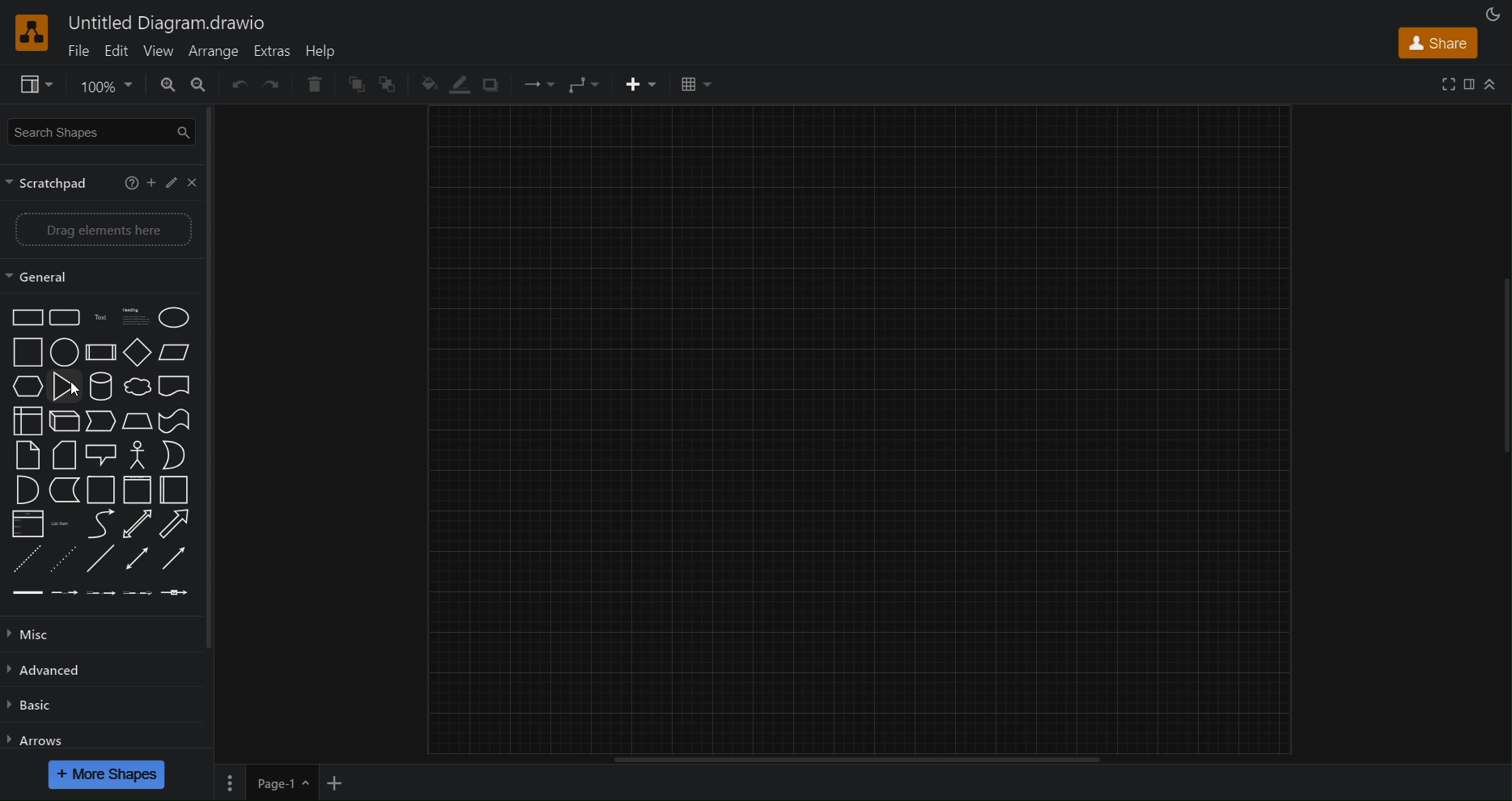 This screenshot has height=801, width=1512. I want to click on Fill Color, so click(424, 86).